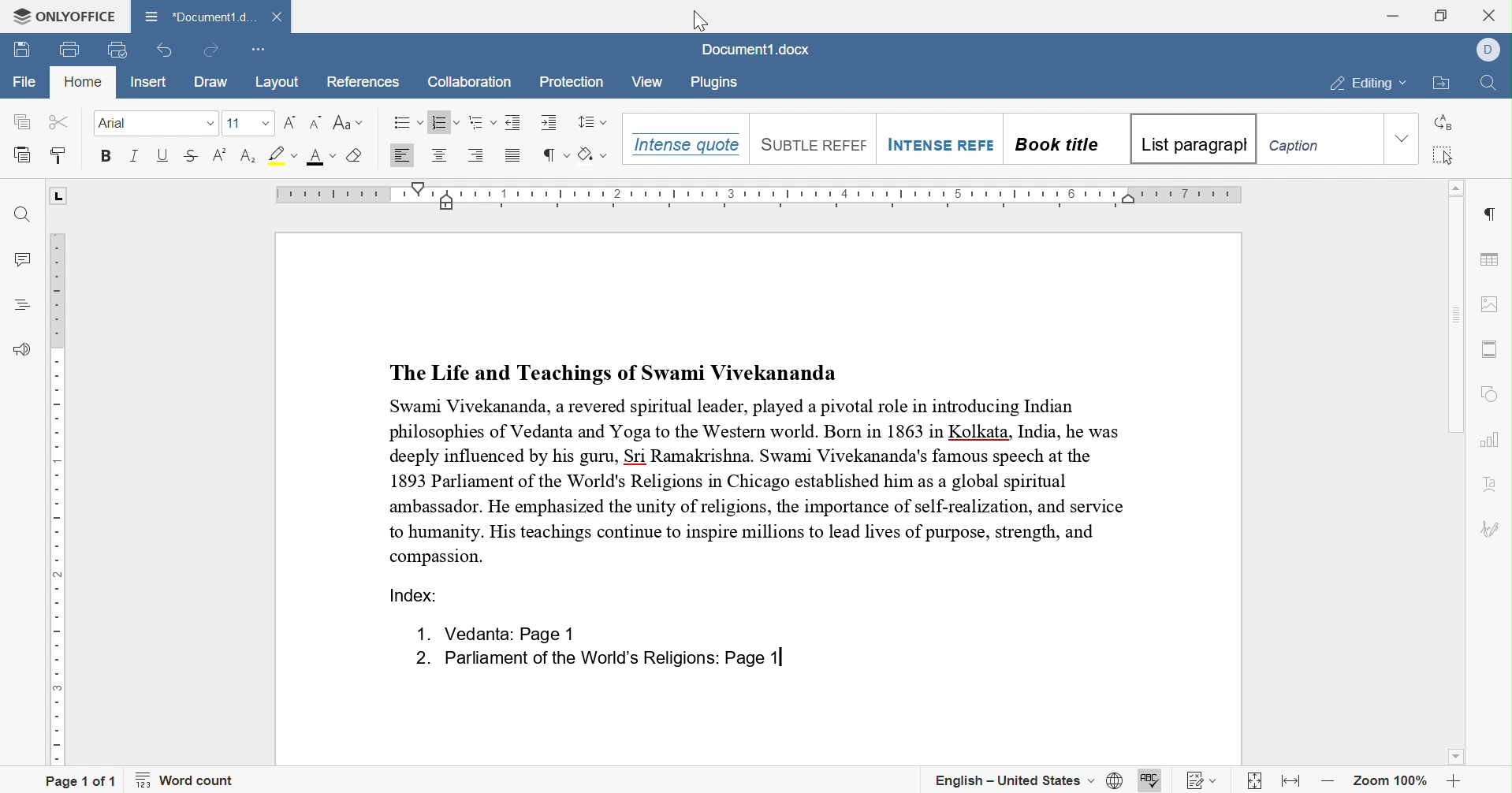 The height and width of the screenshot is (793, 1512). What do you see at coordinates (70, 50) in the screenshot?
I see `print` at bounding box center [70, 50].